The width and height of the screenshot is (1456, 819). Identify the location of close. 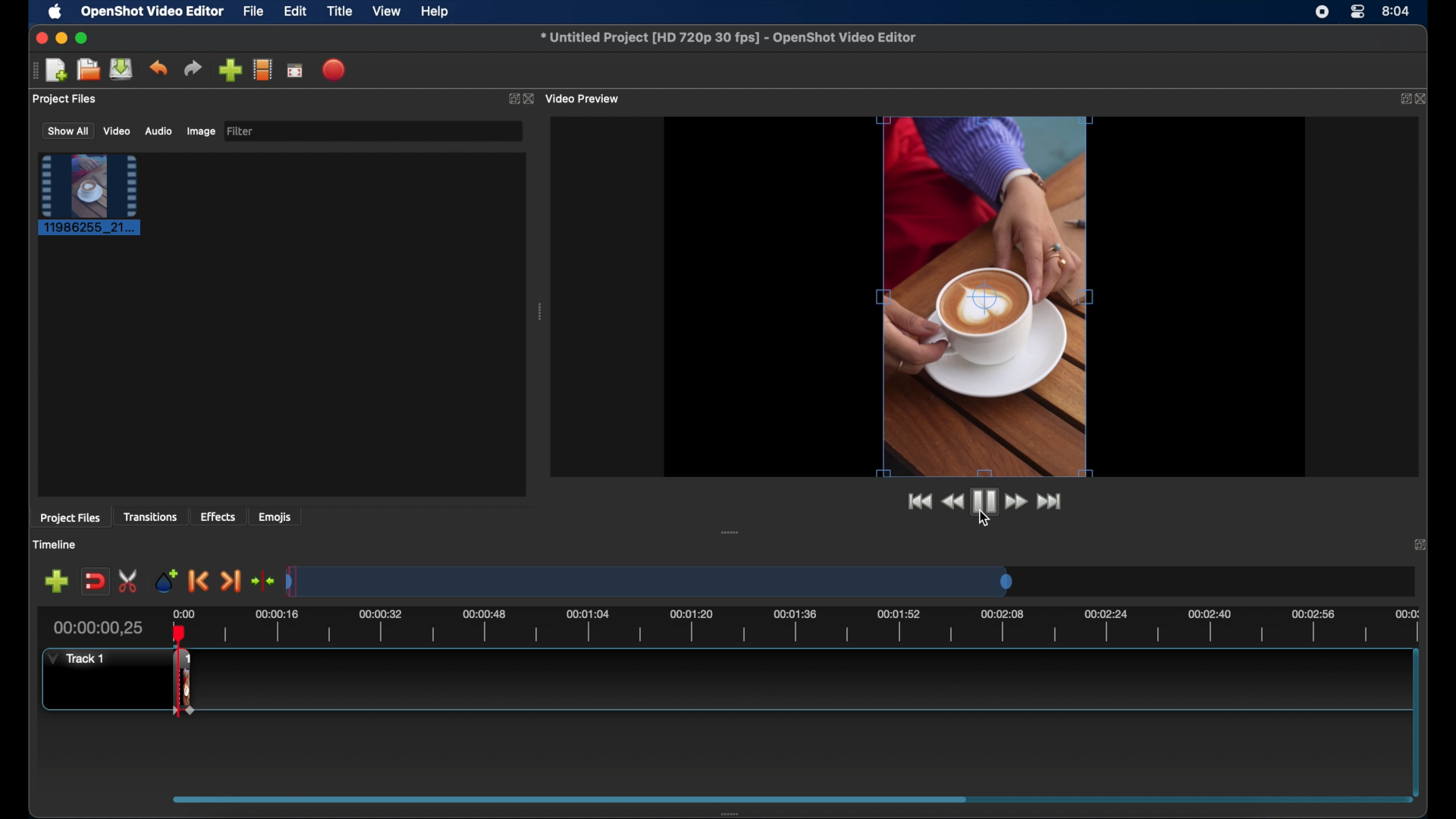
(1418, 544).